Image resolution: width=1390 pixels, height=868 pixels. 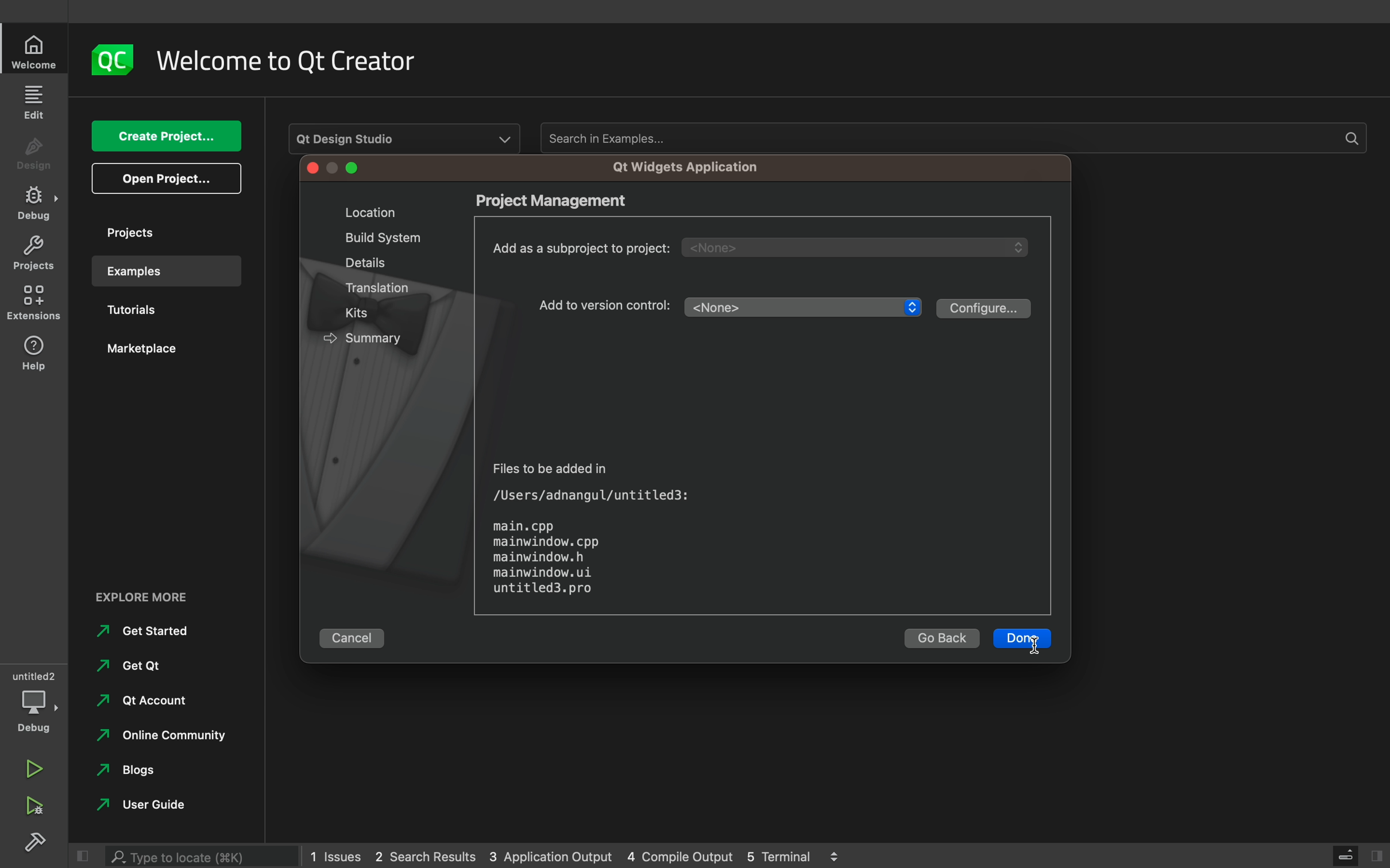 I want to click on , so click(x=138, y=808).